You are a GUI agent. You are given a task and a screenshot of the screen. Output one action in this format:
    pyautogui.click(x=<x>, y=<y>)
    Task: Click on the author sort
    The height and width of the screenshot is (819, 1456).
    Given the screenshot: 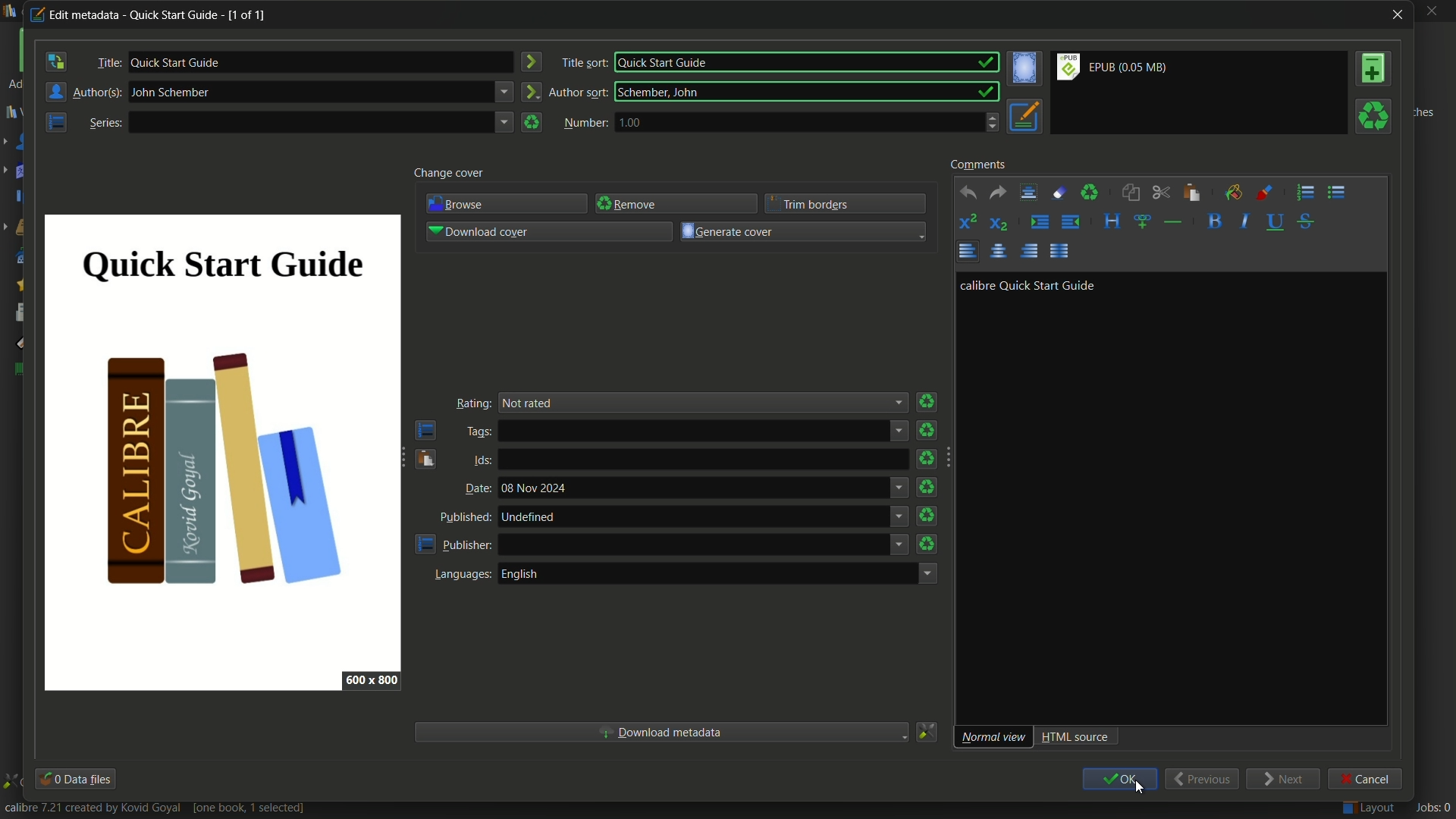 What is the action you would take?
    pyautogui.click(x=581, y=91)
    